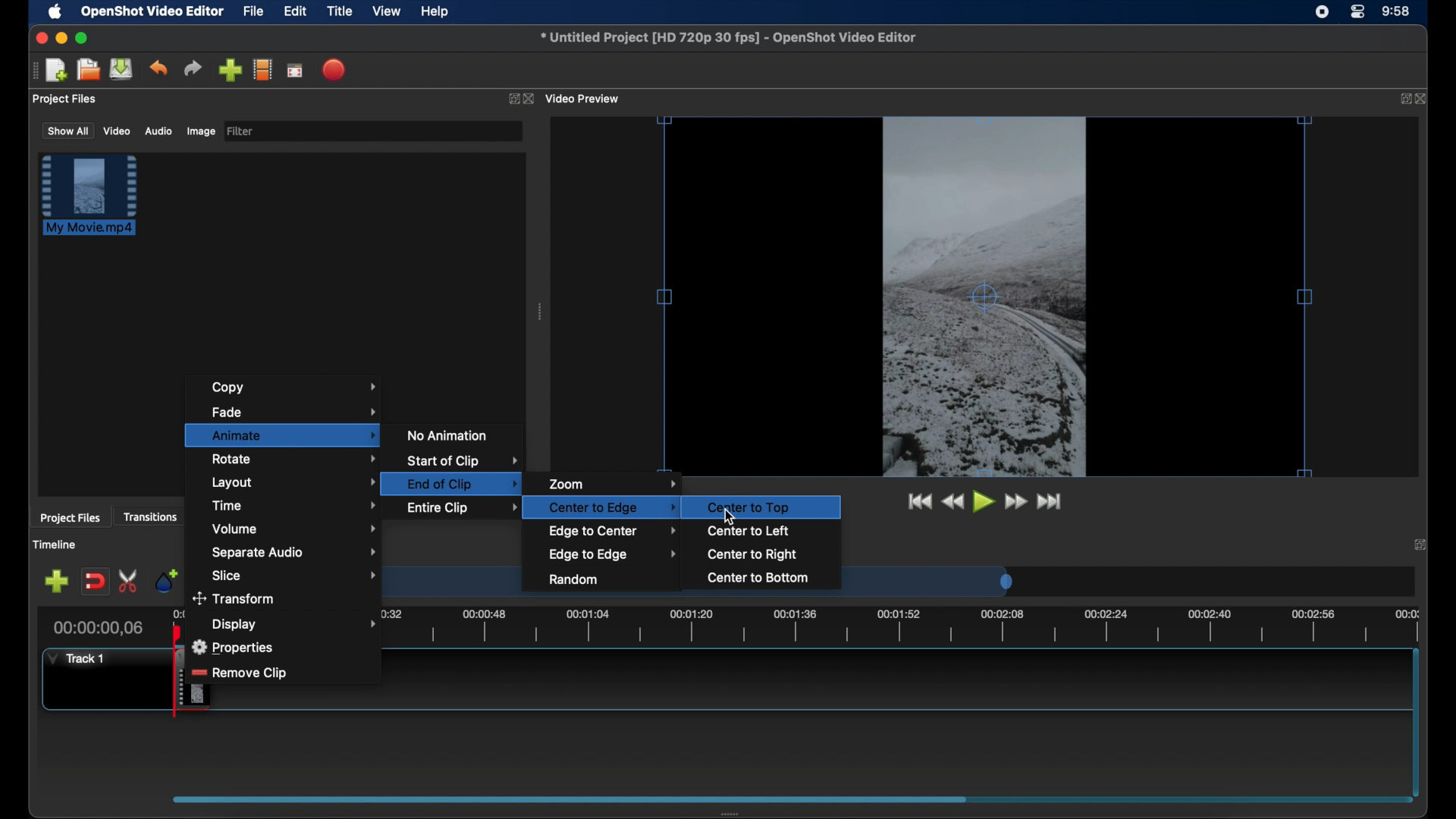 The image size is (1456, 819). I want to click on timeline, so click(55, 544).